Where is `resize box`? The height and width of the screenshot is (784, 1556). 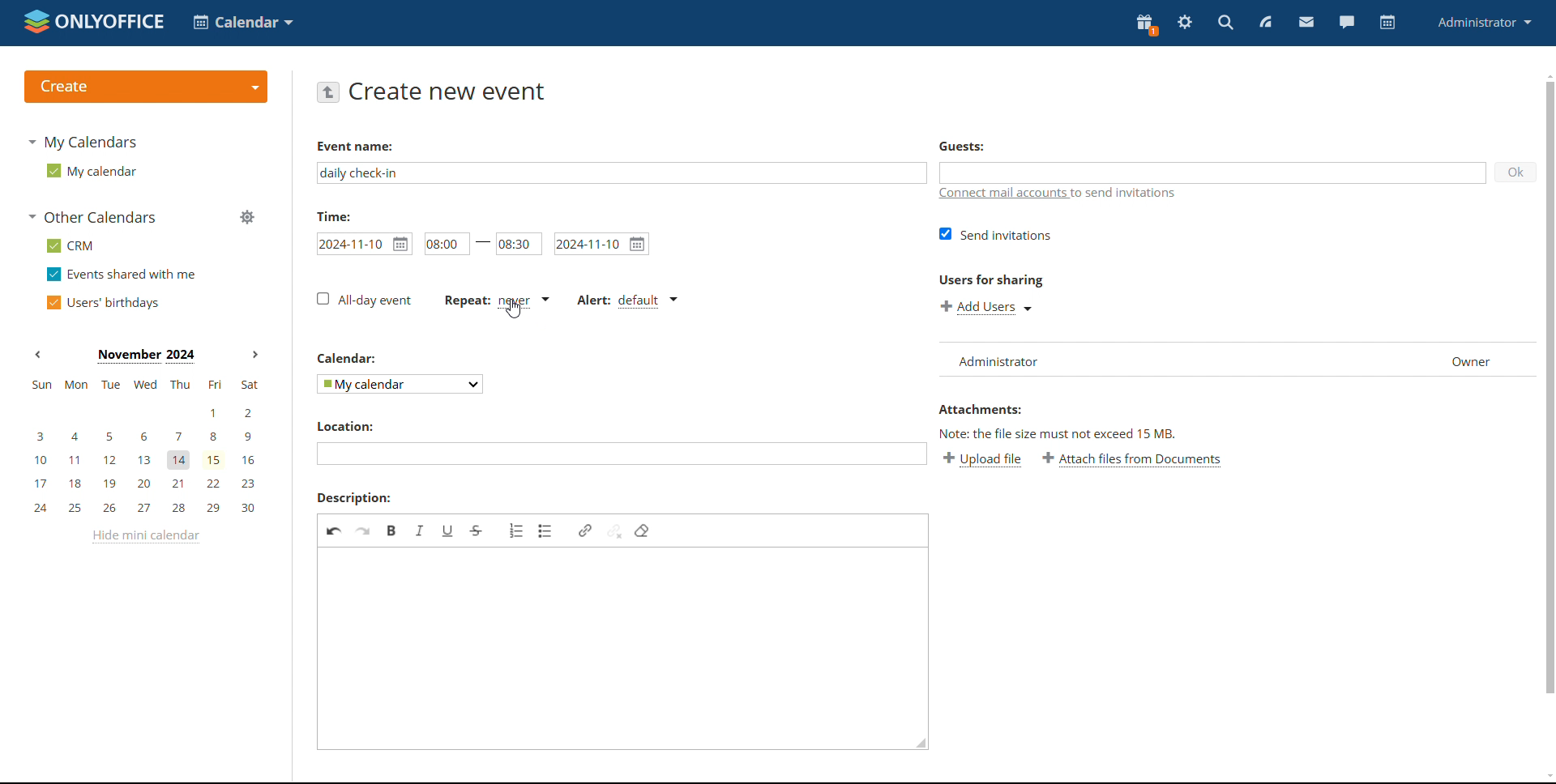
resize box is located at coordinates (921, 744).